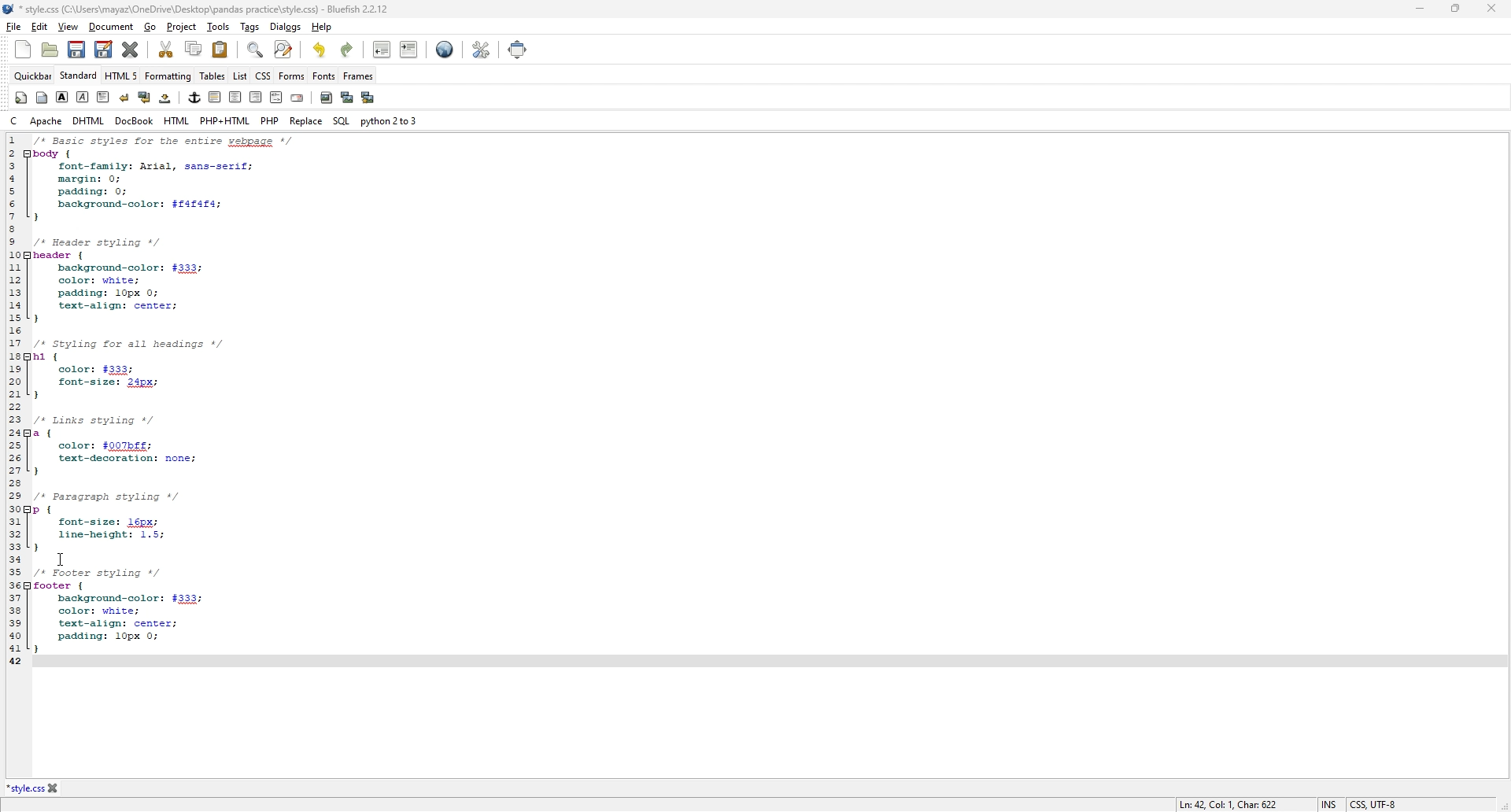  Describe the element at coordinates (50, 50) in the screenshot. I see `open` at that location.